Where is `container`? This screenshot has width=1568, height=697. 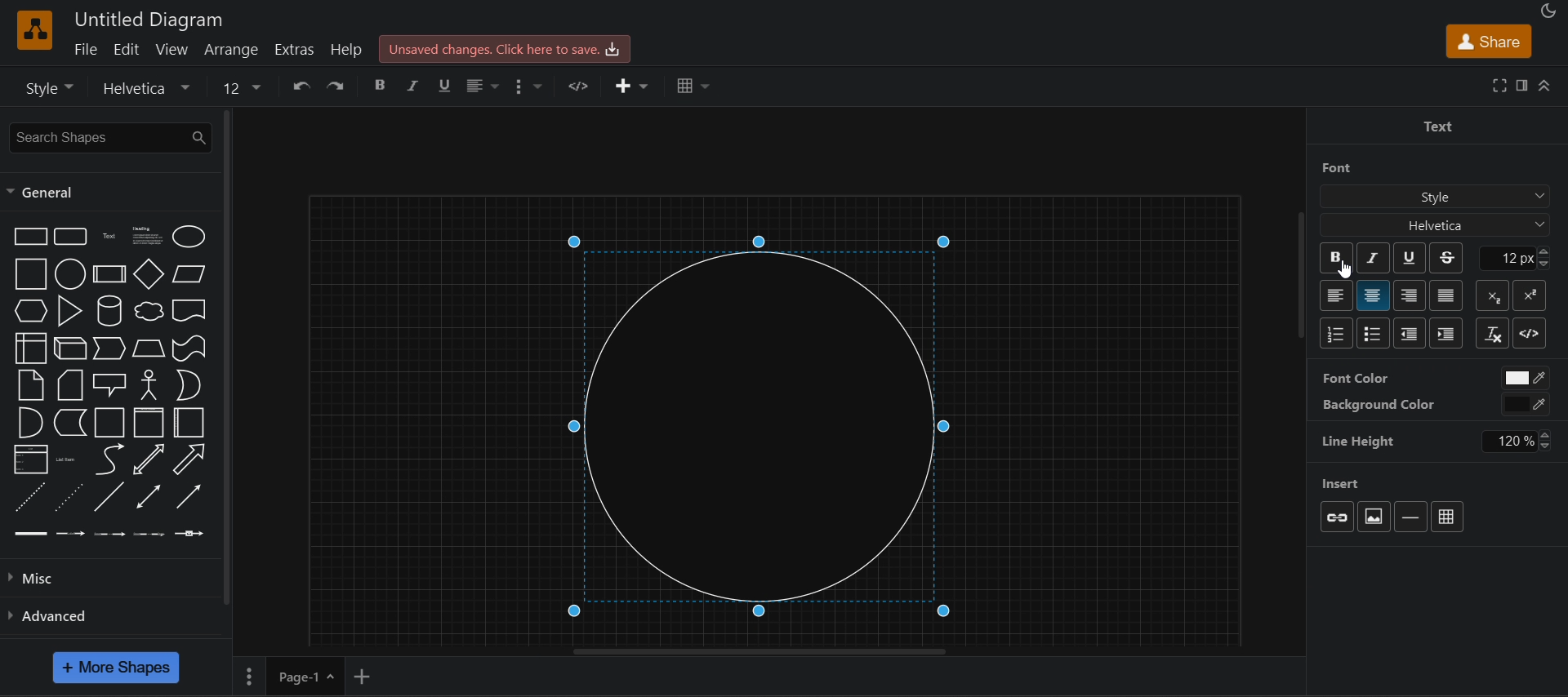 container is located at coordinates (111, 422).